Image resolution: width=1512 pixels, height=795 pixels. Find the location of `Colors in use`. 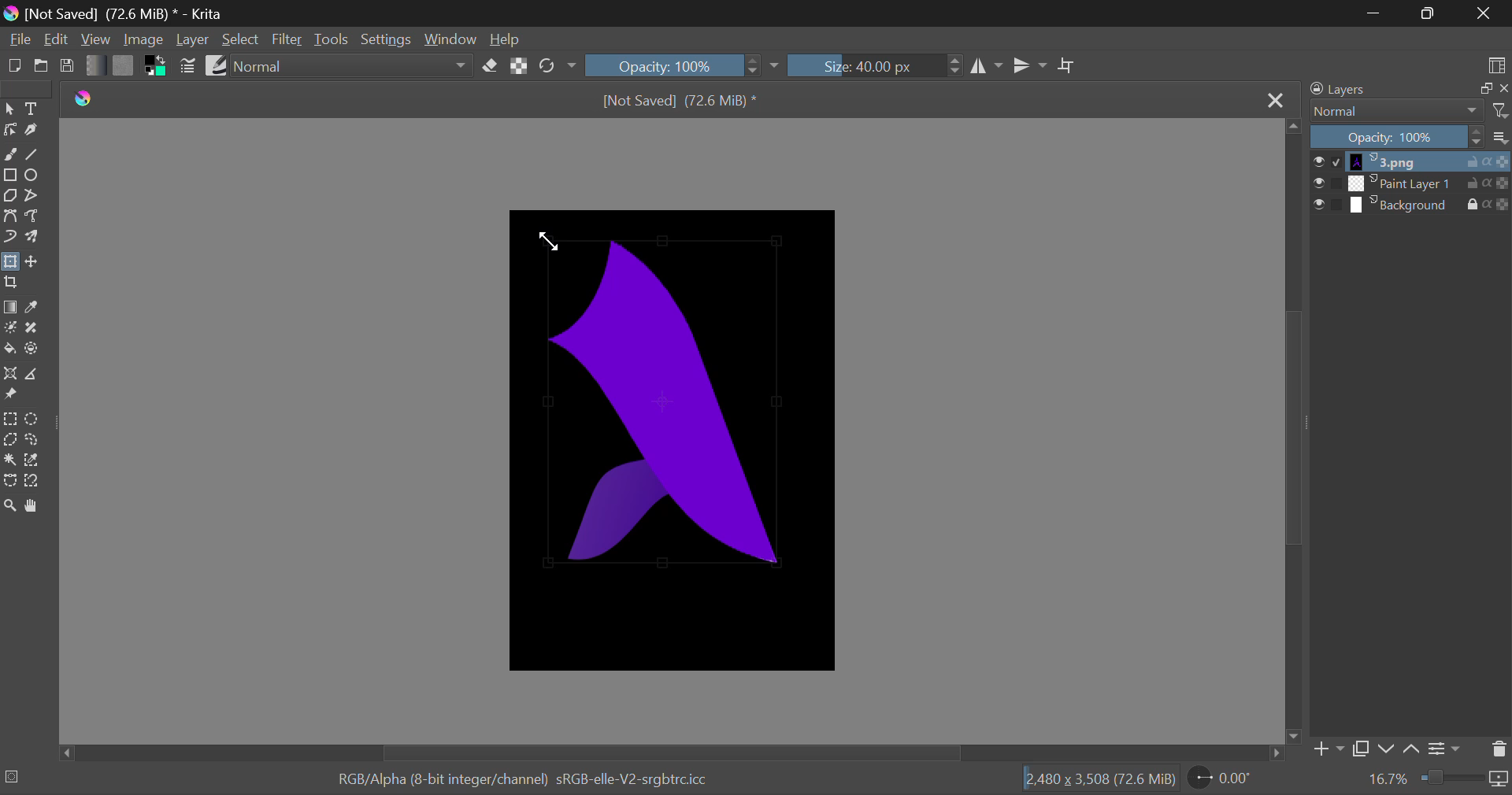

Colors in use is located at coordinates (157, 66).